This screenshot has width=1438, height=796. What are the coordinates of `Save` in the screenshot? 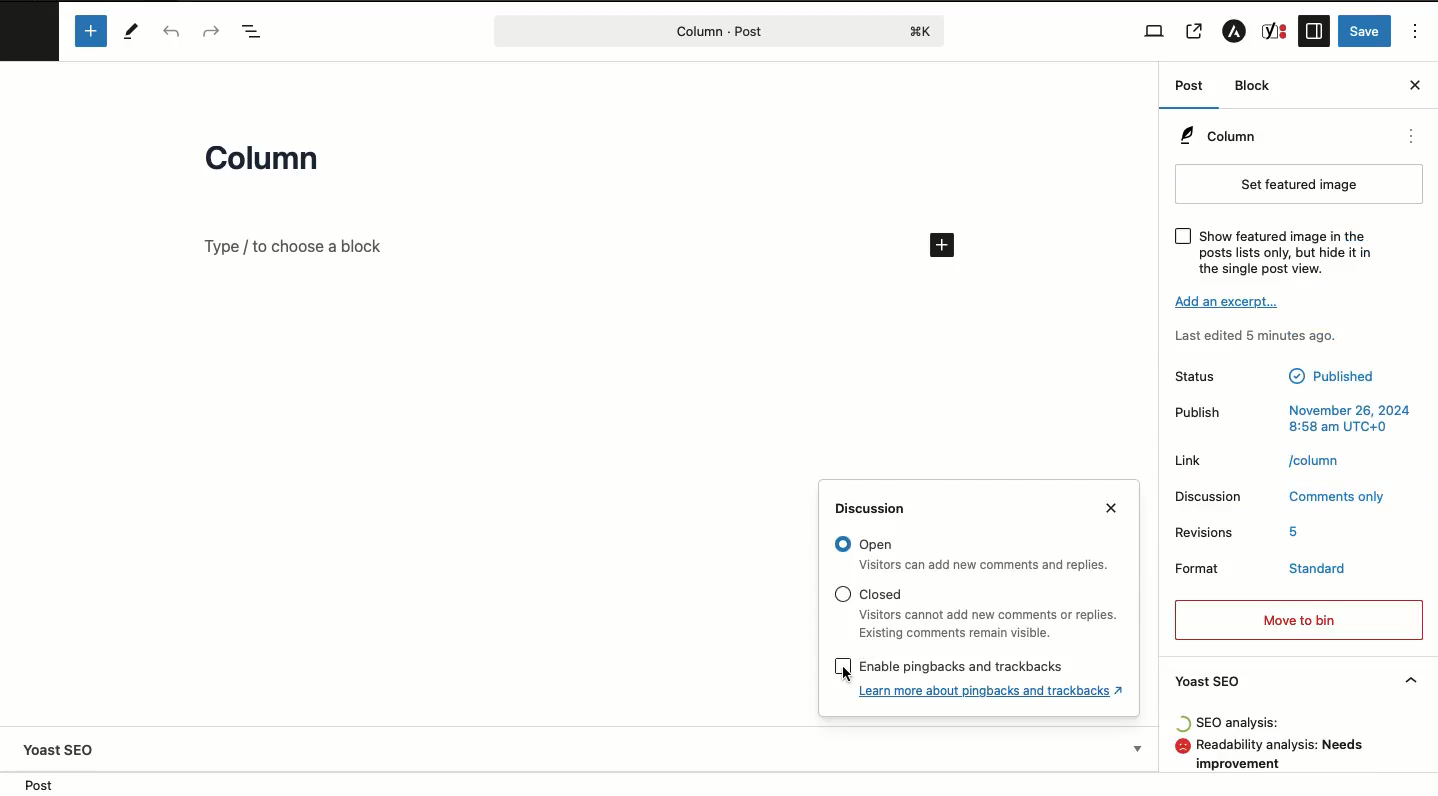 It's located at (1365, 31).